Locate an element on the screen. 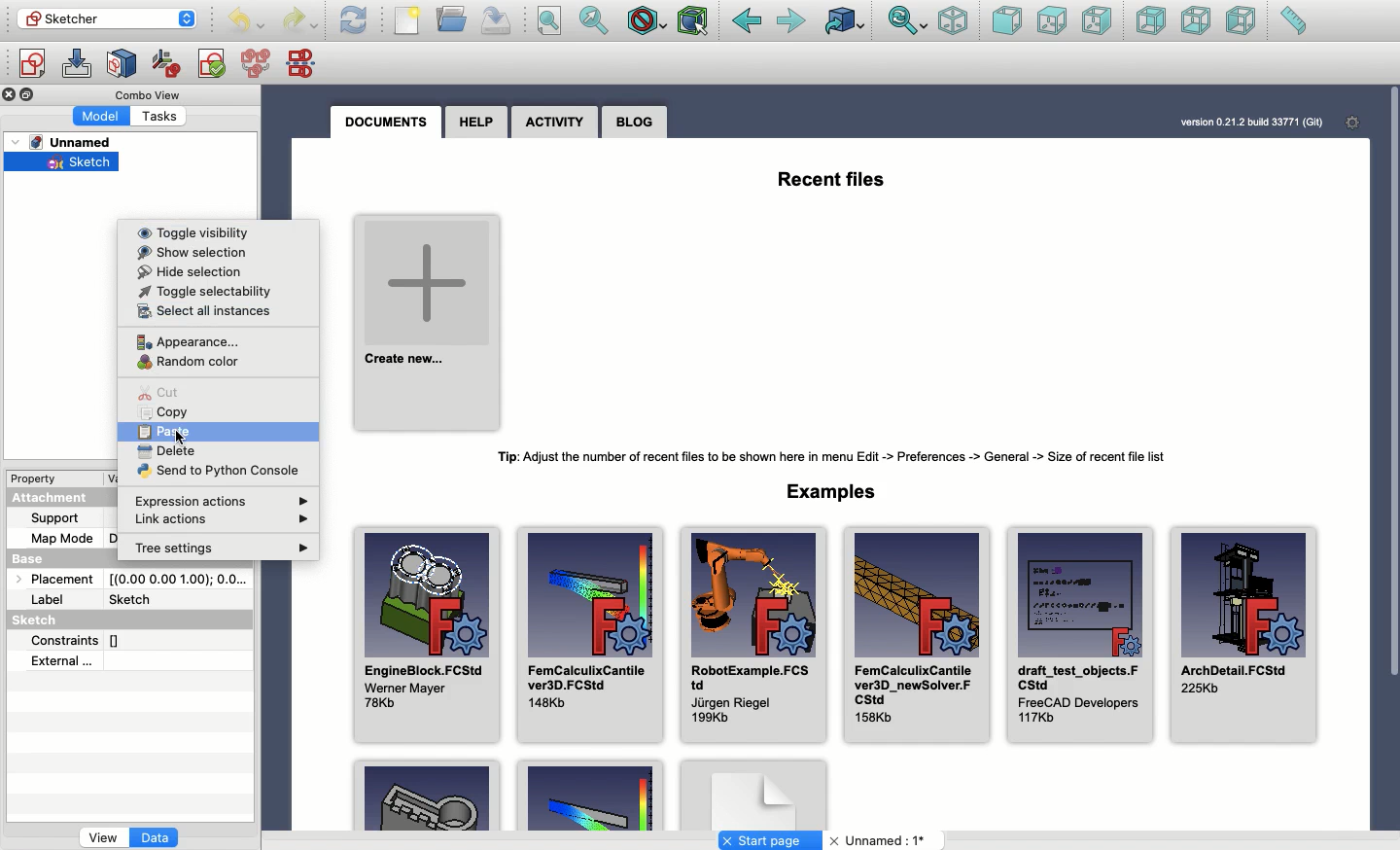 Image resolution: width=1400 pixels, height=850 pixels. Support is located at coordinates (64, 518).